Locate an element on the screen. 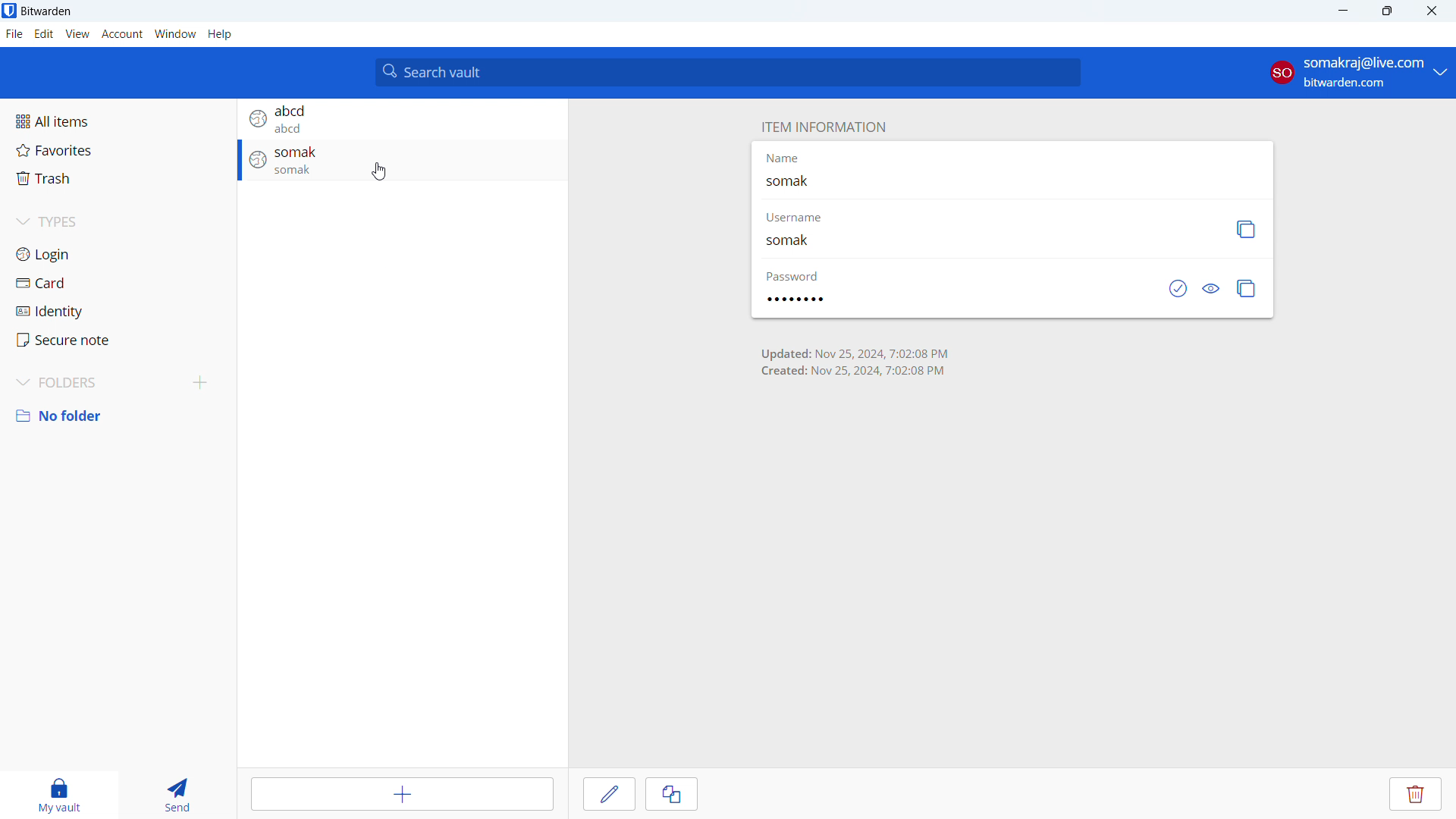 This screenshot has width=1456, height=819. close is located at coordinates (1432, 11).